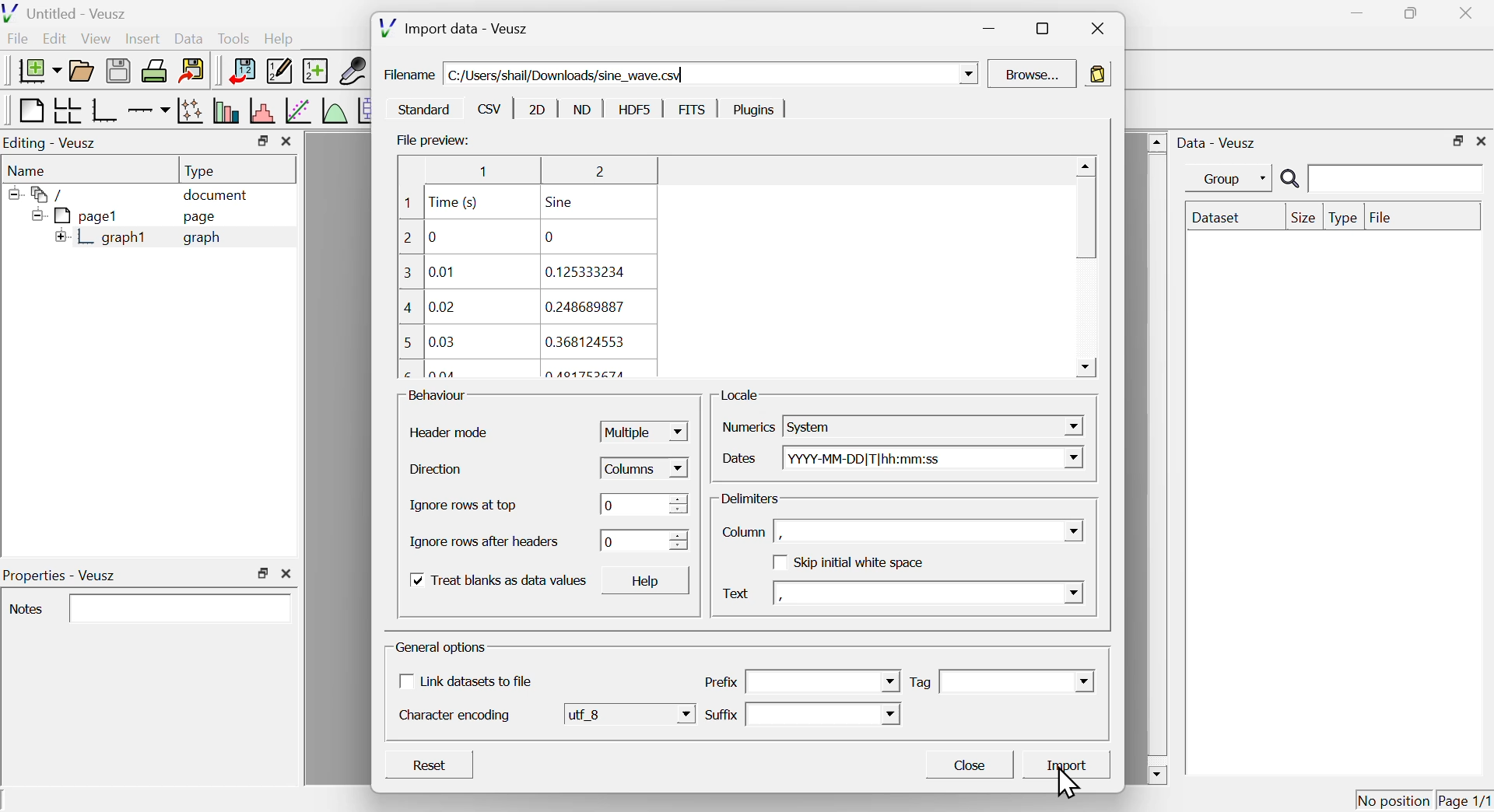 This screenshot has width=1494, height=812. I want to click on print the document, so click(156, 71).